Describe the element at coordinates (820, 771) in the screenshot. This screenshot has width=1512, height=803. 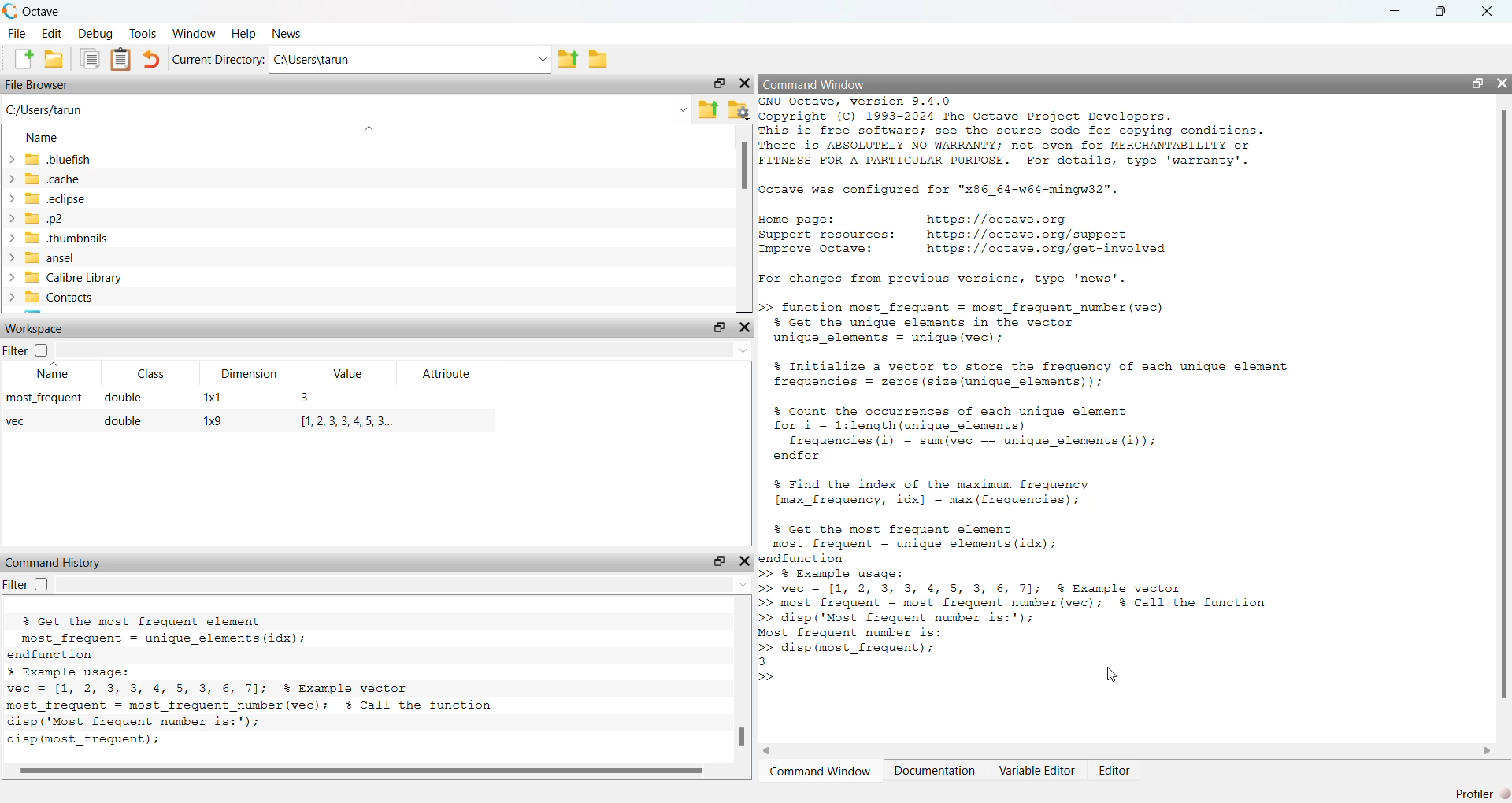
I see `Command Window` at that location.